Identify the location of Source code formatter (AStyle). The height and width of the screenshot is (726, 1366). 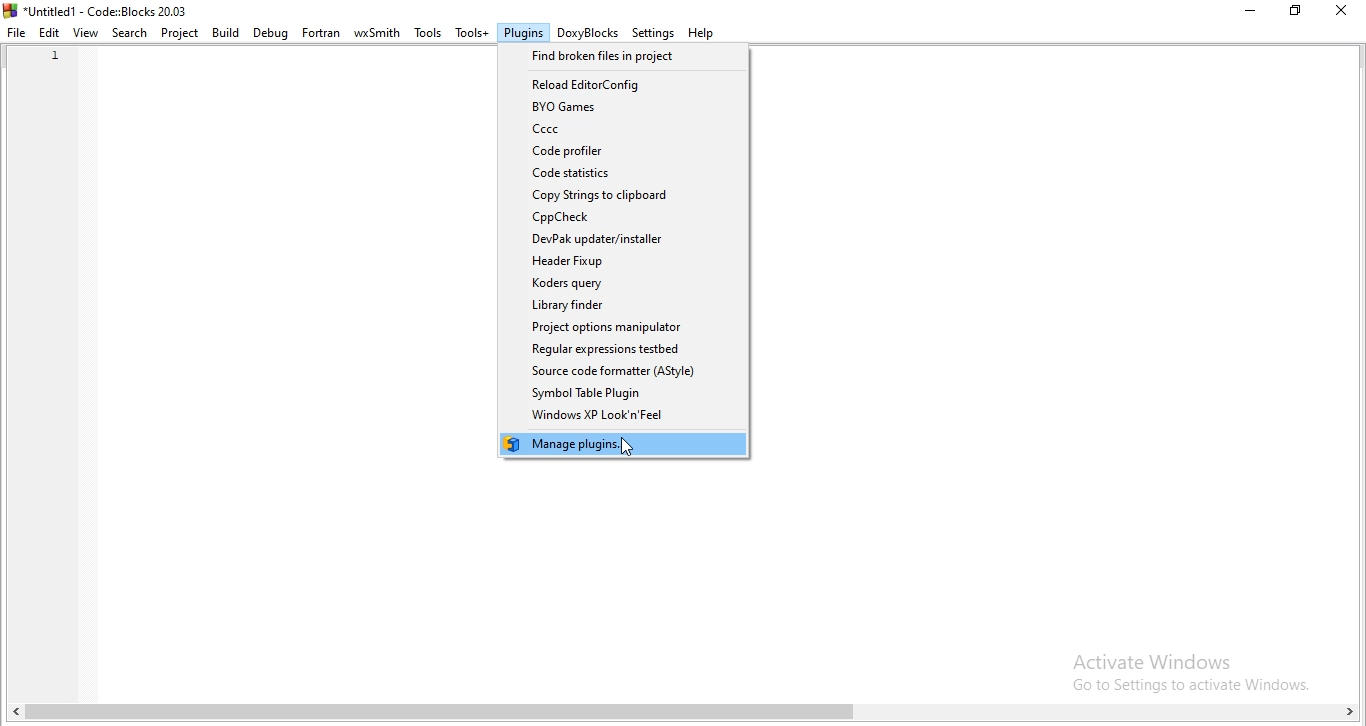
(627, 372).